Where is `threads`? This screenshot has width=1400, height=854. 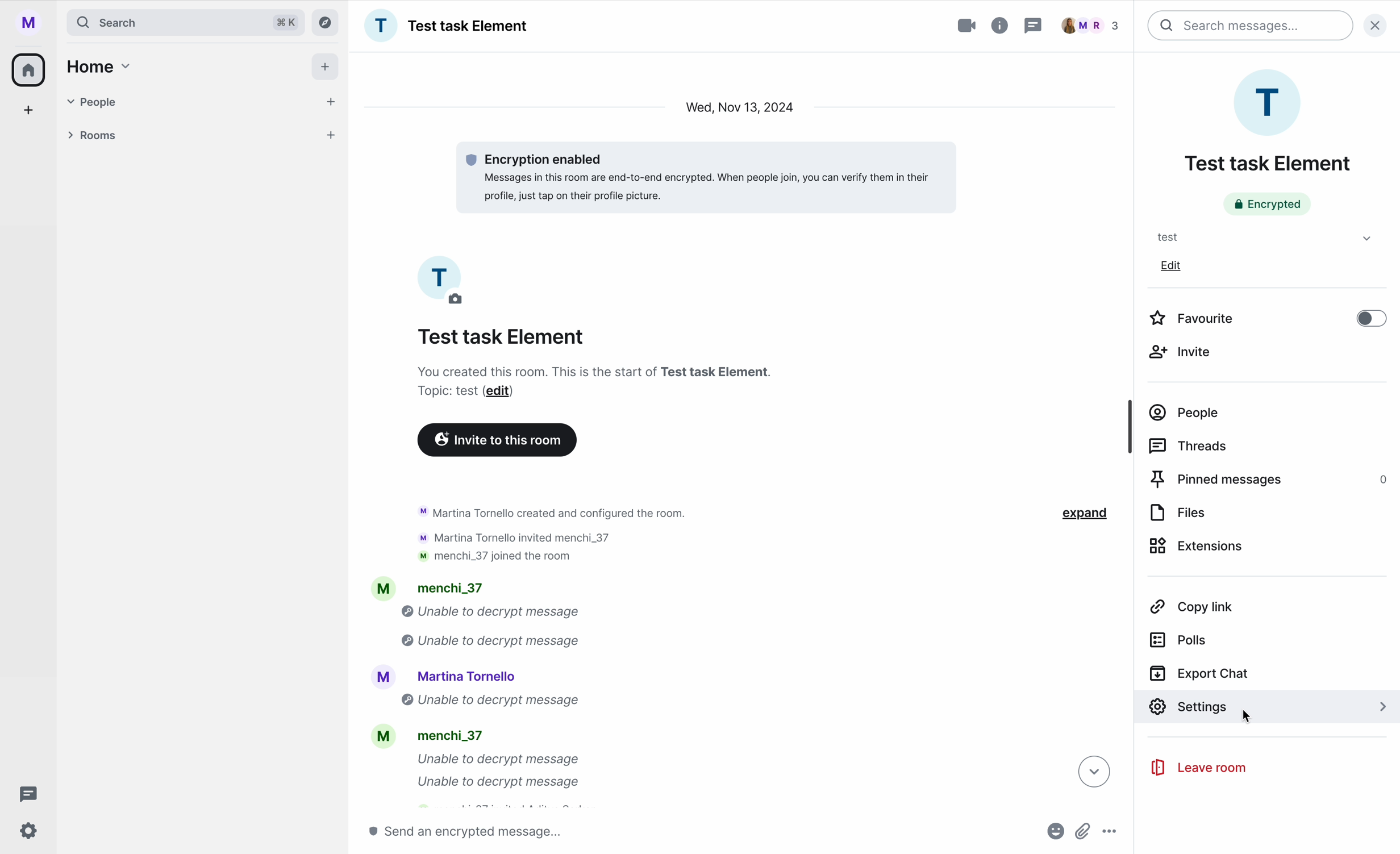
threads is located at coordinates (1034, 25).